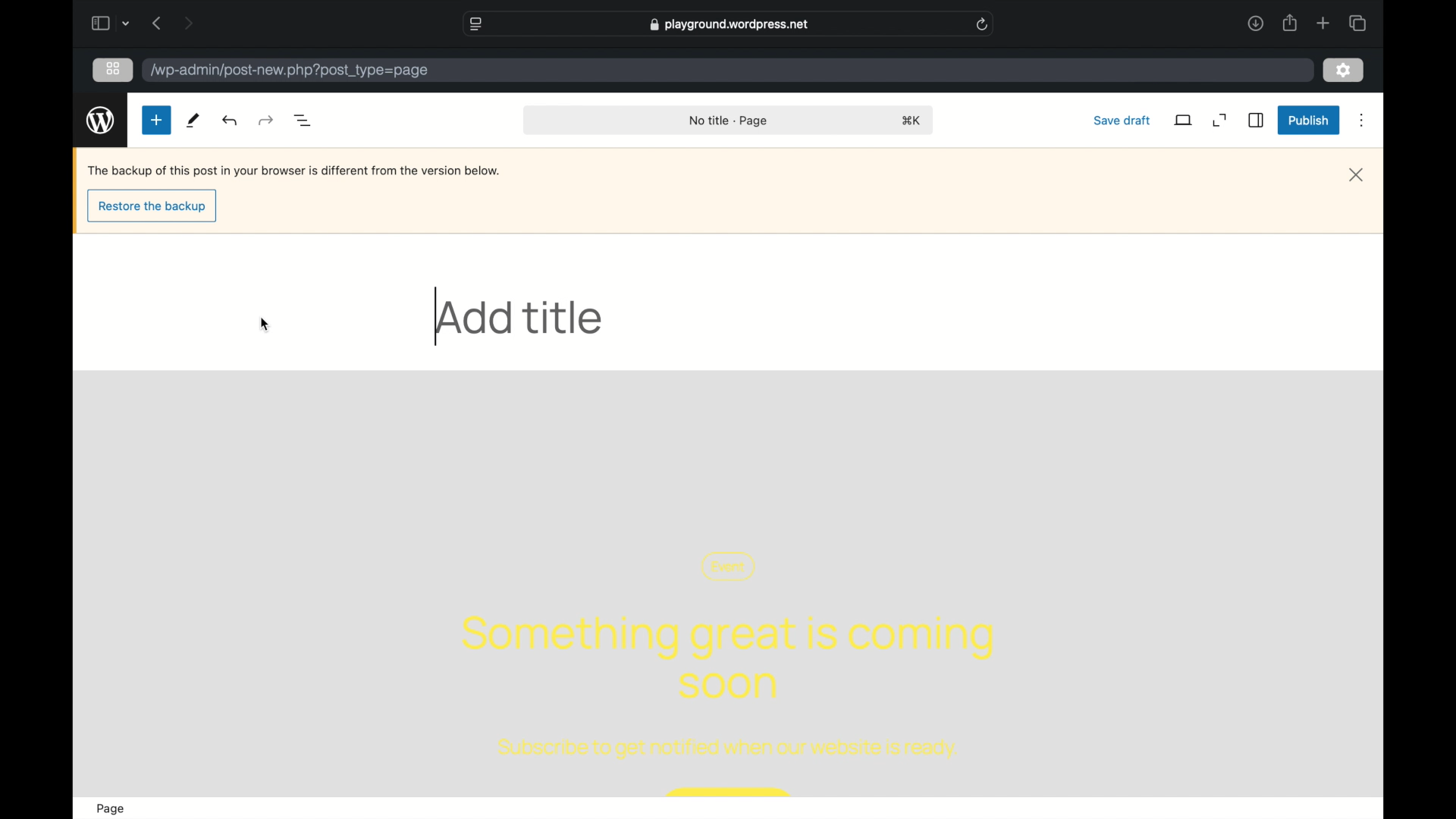 The image size is (1456, 819). I want to click on view, so click(1183, 121).